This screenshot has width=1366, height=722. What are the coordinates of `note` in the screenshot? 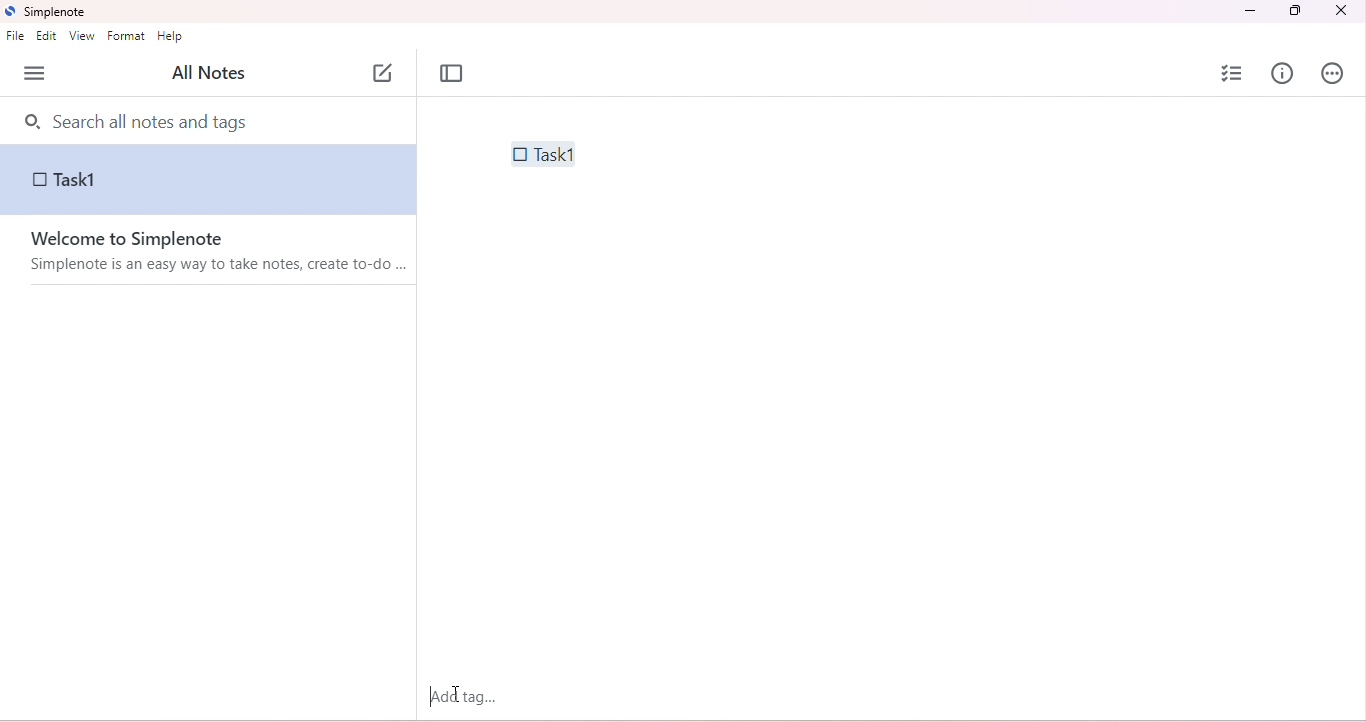 It's located at (209, 183).